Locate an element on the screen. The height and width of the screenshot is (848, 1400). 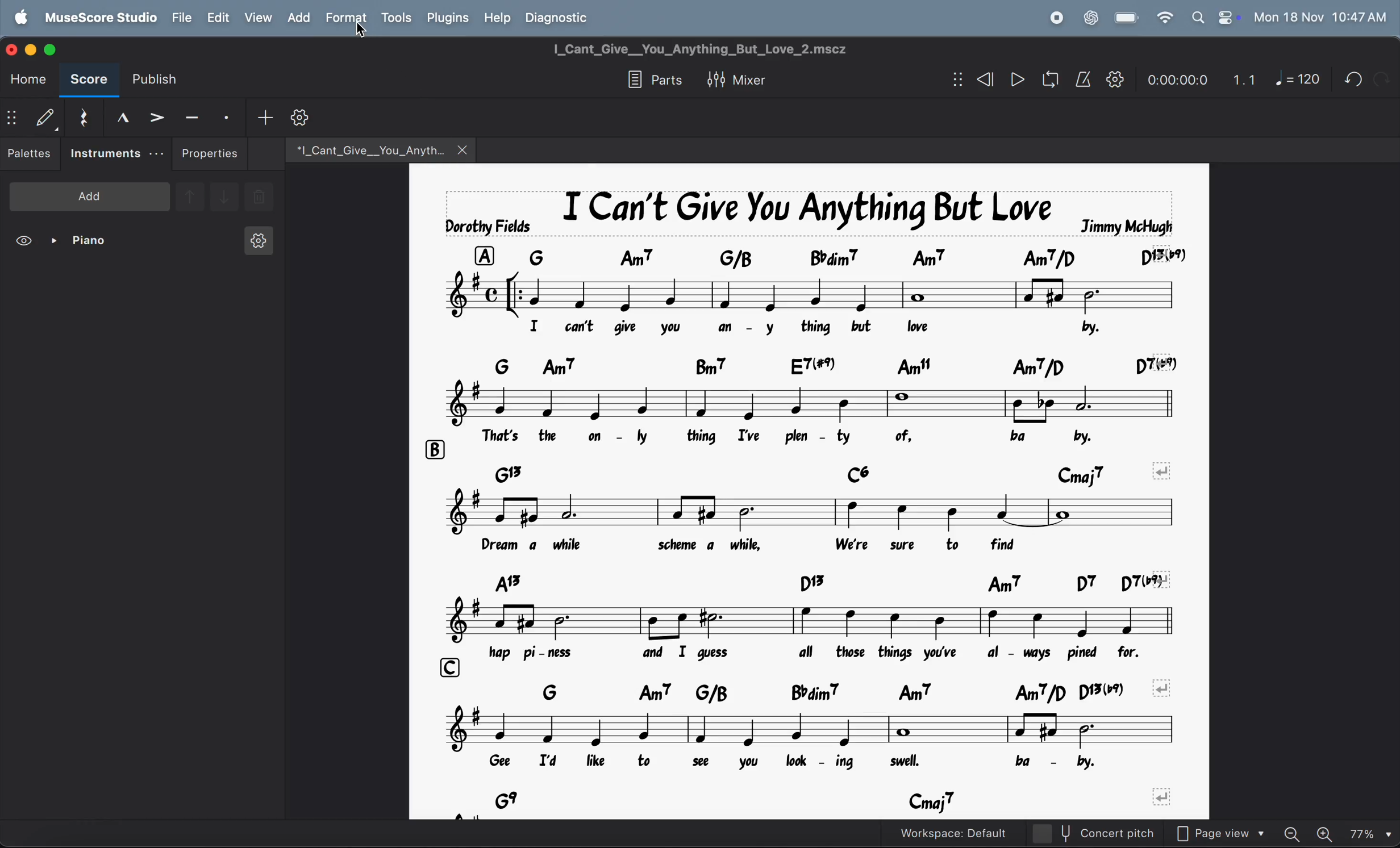
view is located at coordinates (257, 17).